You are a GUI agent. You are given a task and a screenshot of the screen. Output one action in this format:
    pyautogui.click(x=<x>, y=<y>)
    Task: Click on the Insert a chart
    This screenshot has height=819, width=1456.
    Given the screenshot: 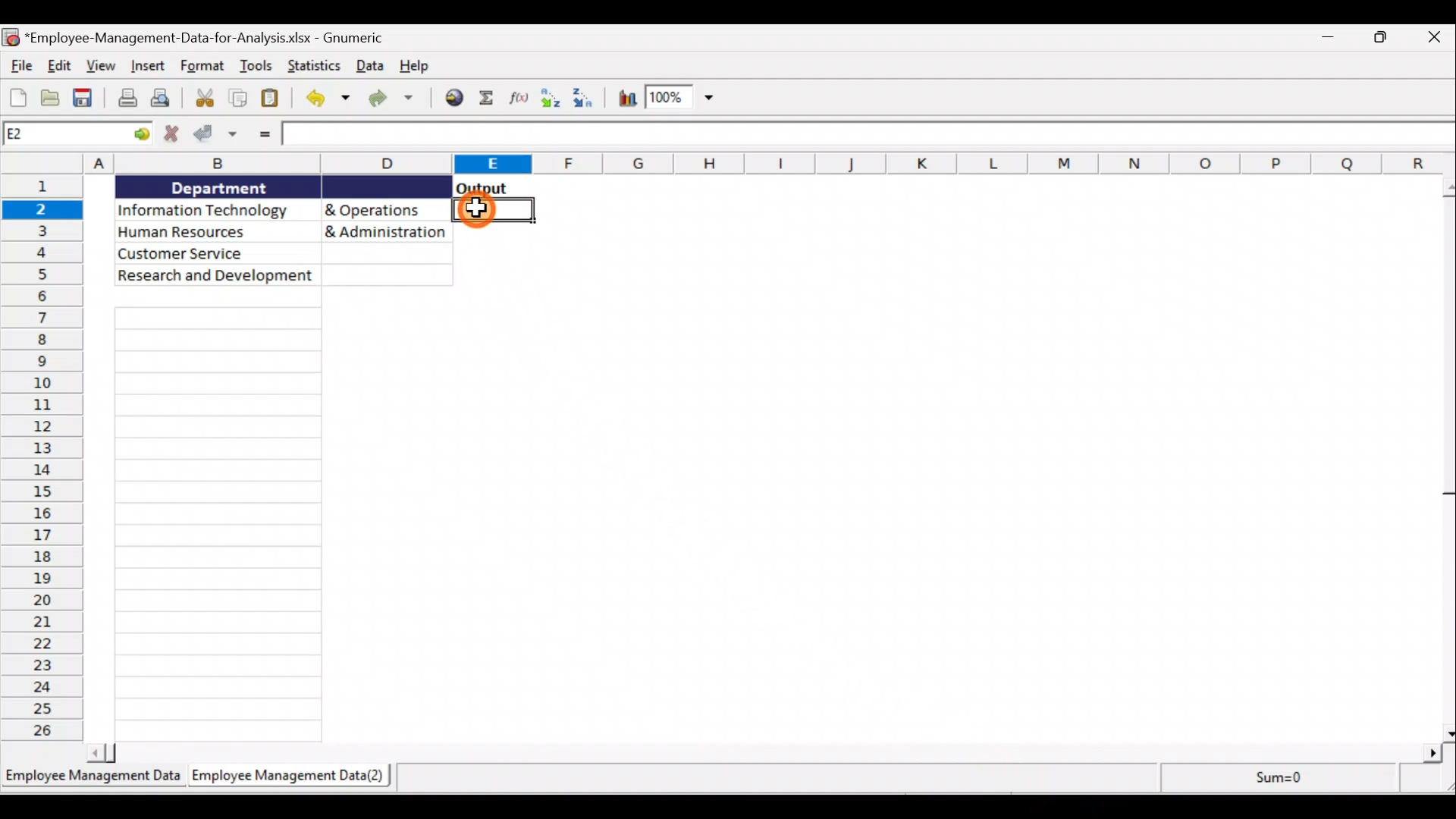 What is the action you would take?
    pyautogui.click(x=626, y=99)
    